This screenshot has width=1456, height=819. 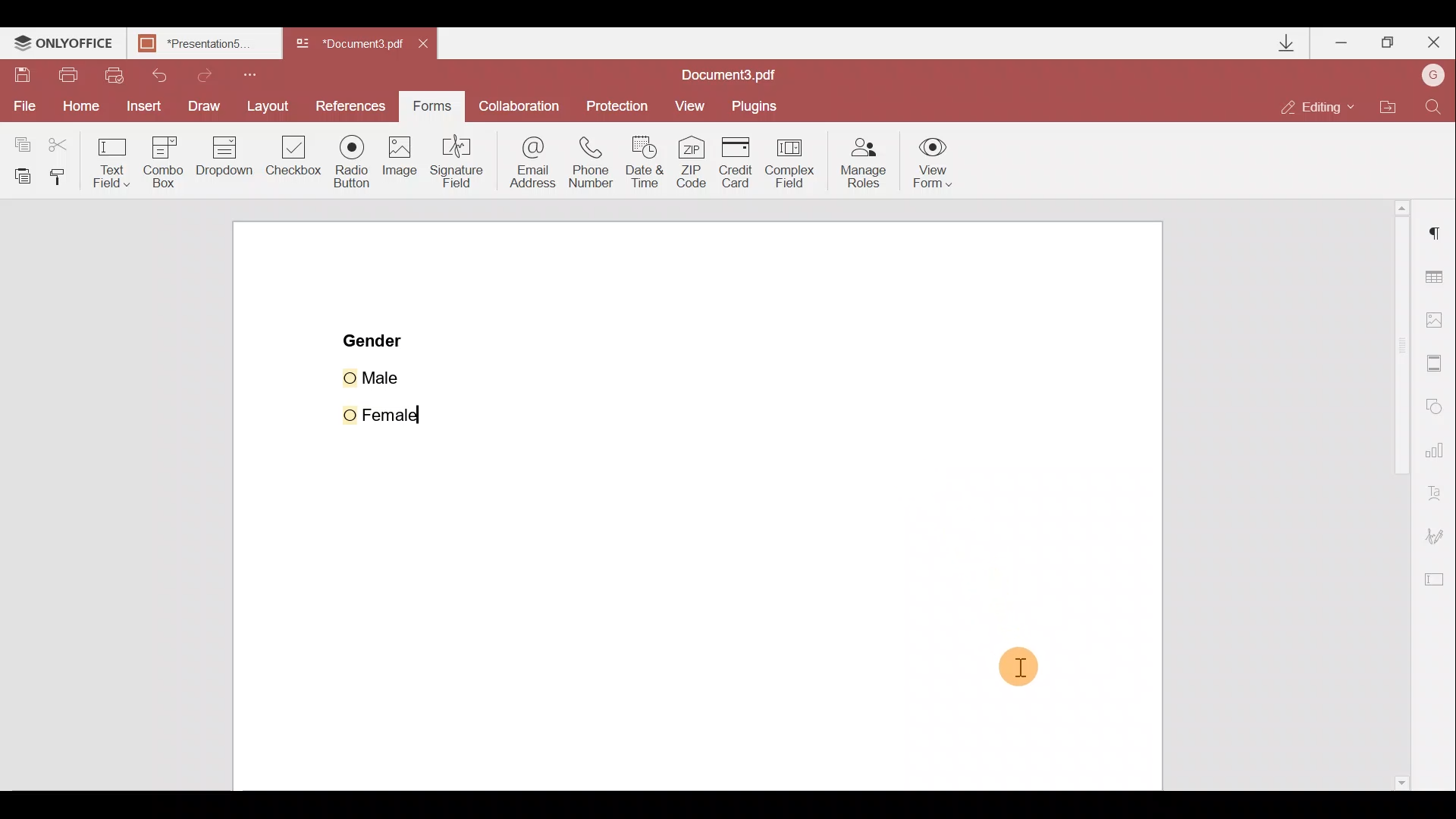 I want to click on Protection, so click(x=619, y=102).